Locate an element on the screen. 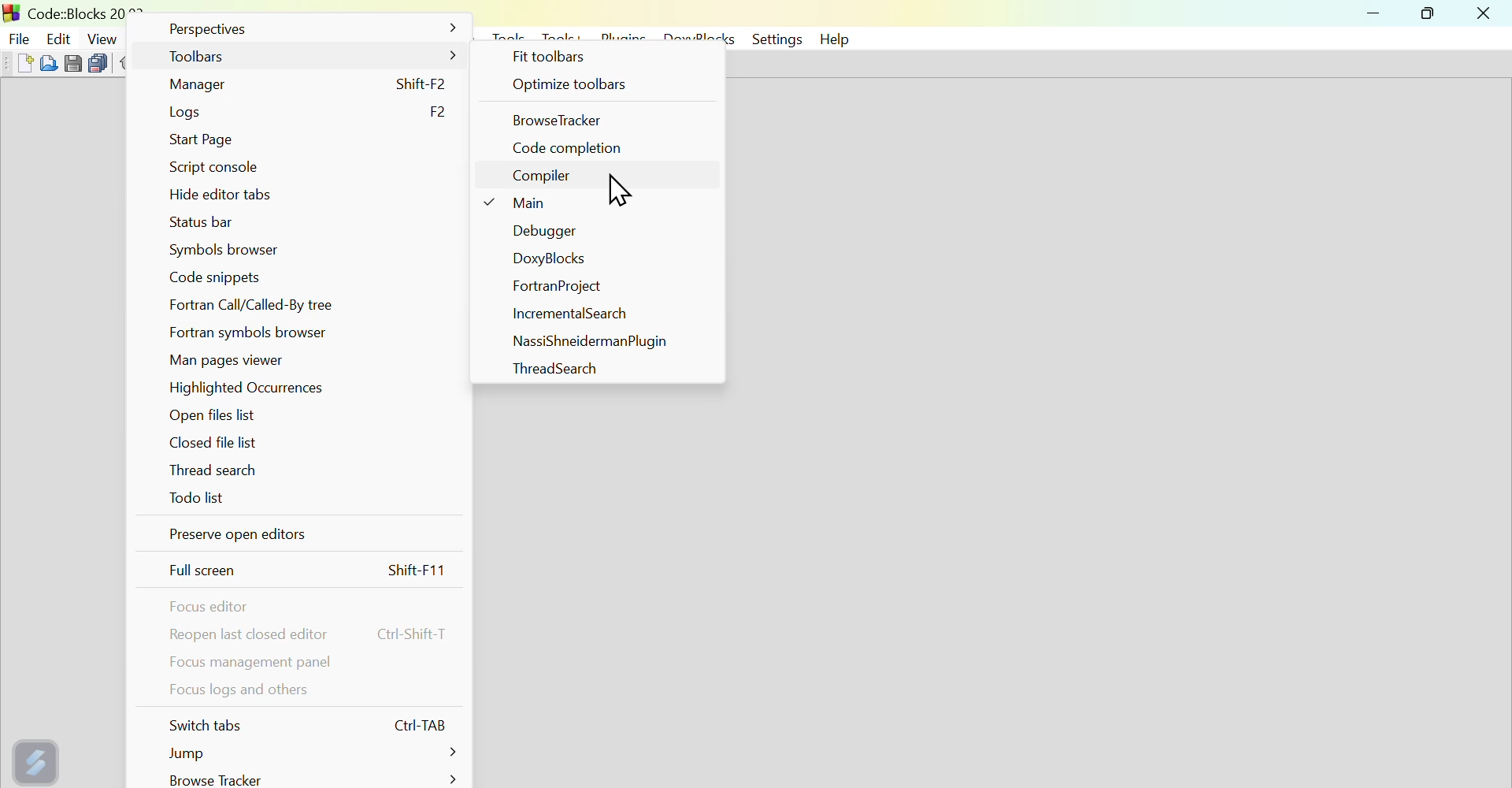  Open files list is located at coordinates (216, 417).